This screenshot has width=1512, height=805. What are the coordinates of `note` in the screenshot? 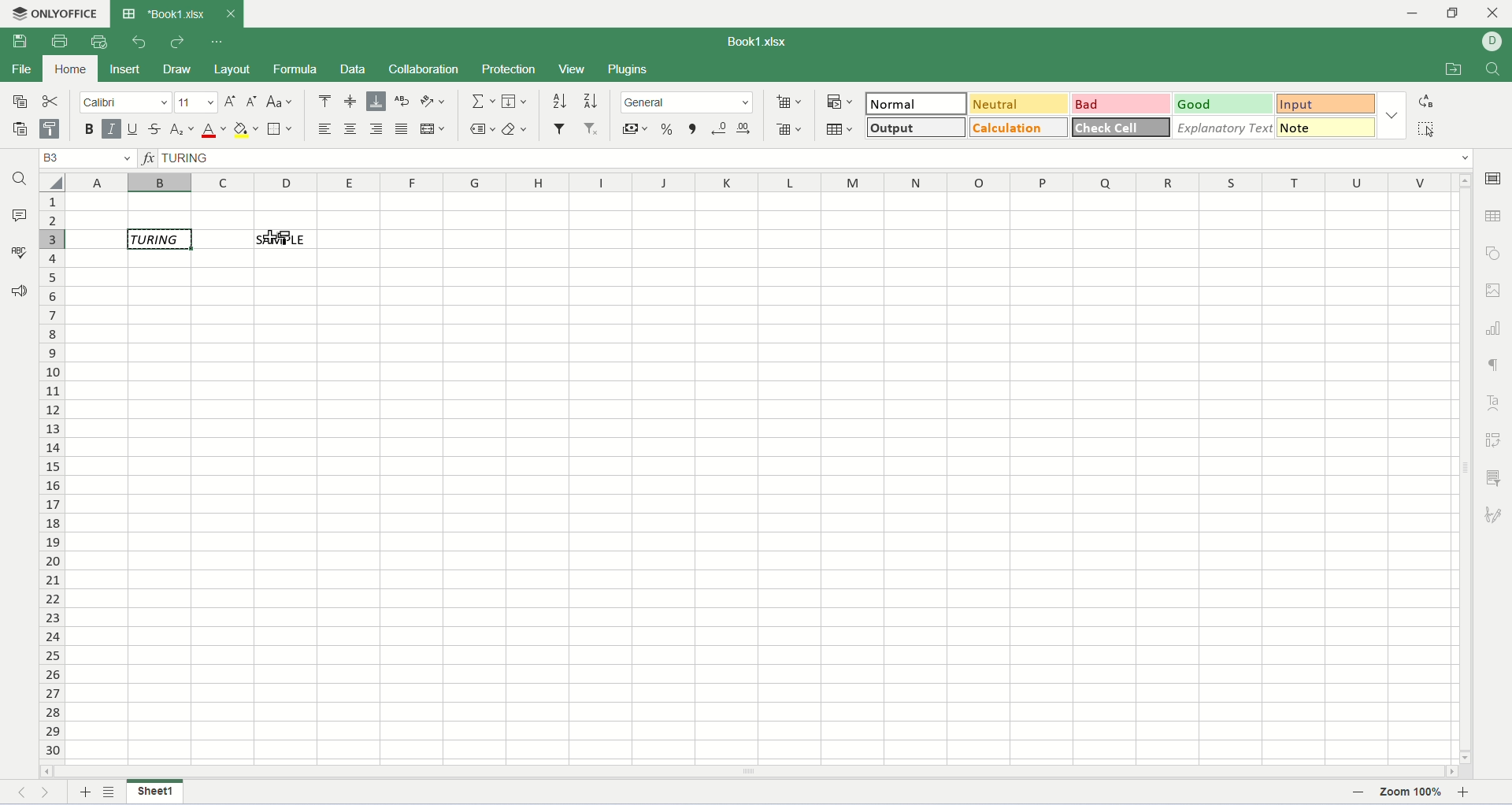 It's located at (1328, 127).